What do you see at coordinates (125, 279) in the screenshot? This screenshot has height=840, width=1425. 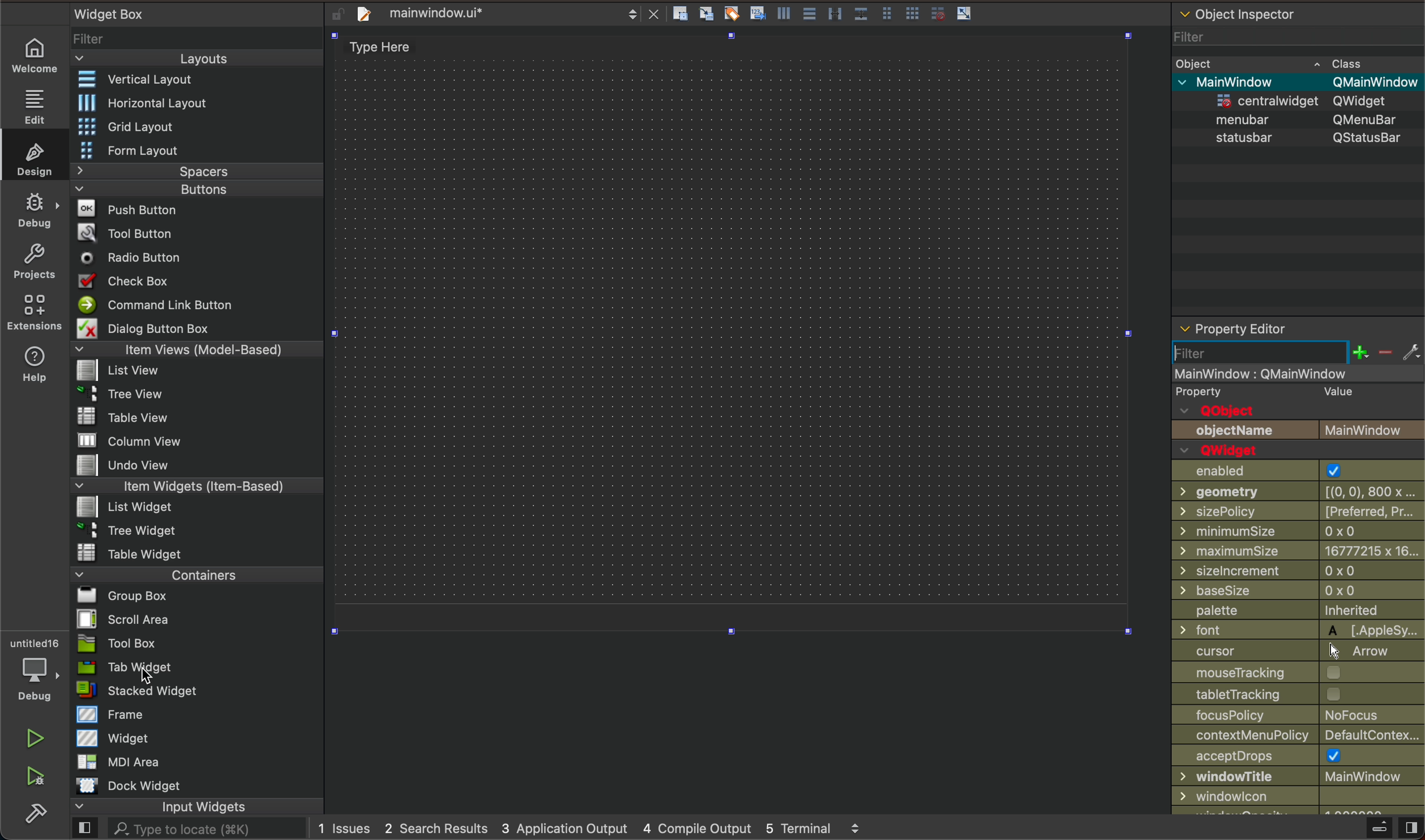 I see `Check Box` at bounding box center [125, 279].